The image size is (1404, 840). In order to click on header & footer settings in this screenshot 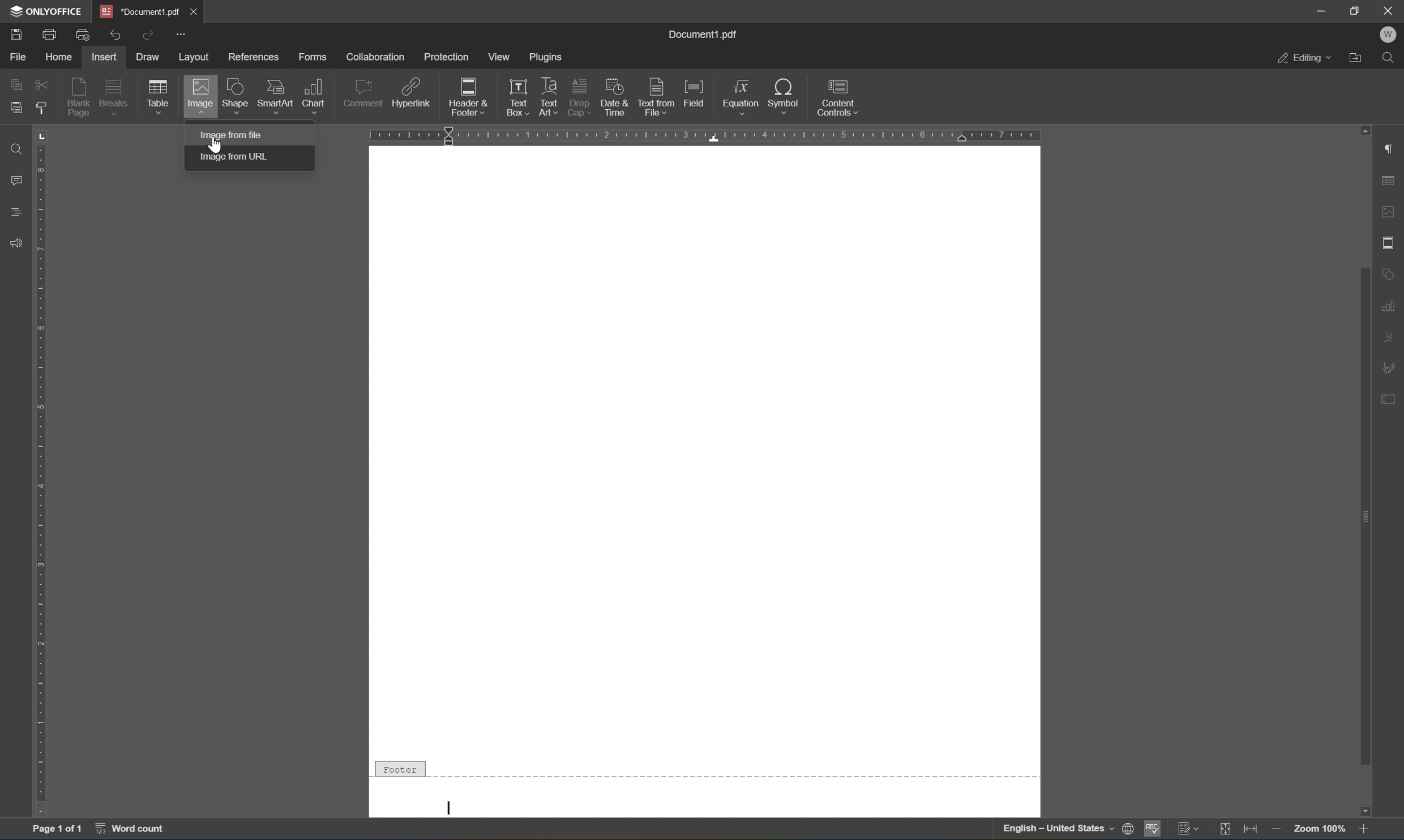, I will do `click(1391, 242)`.